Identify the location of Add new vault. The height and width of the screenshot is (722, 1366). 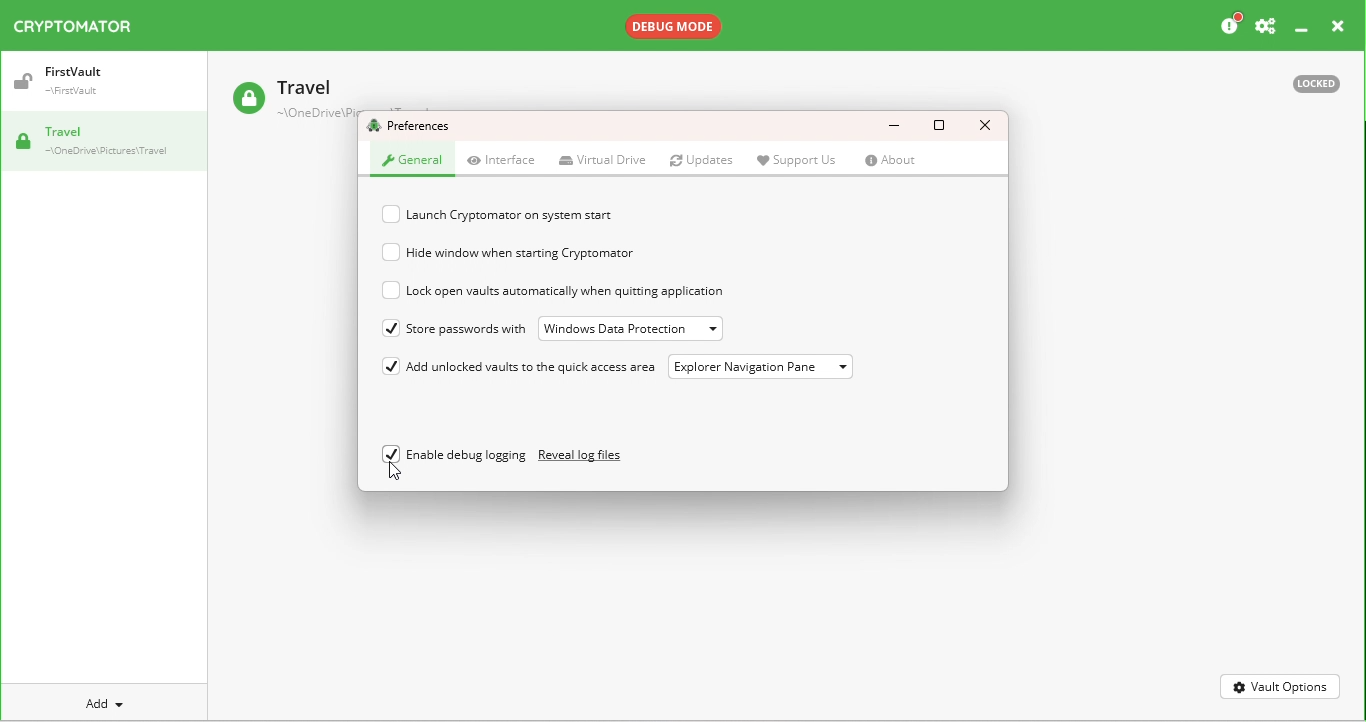
(93, 702).